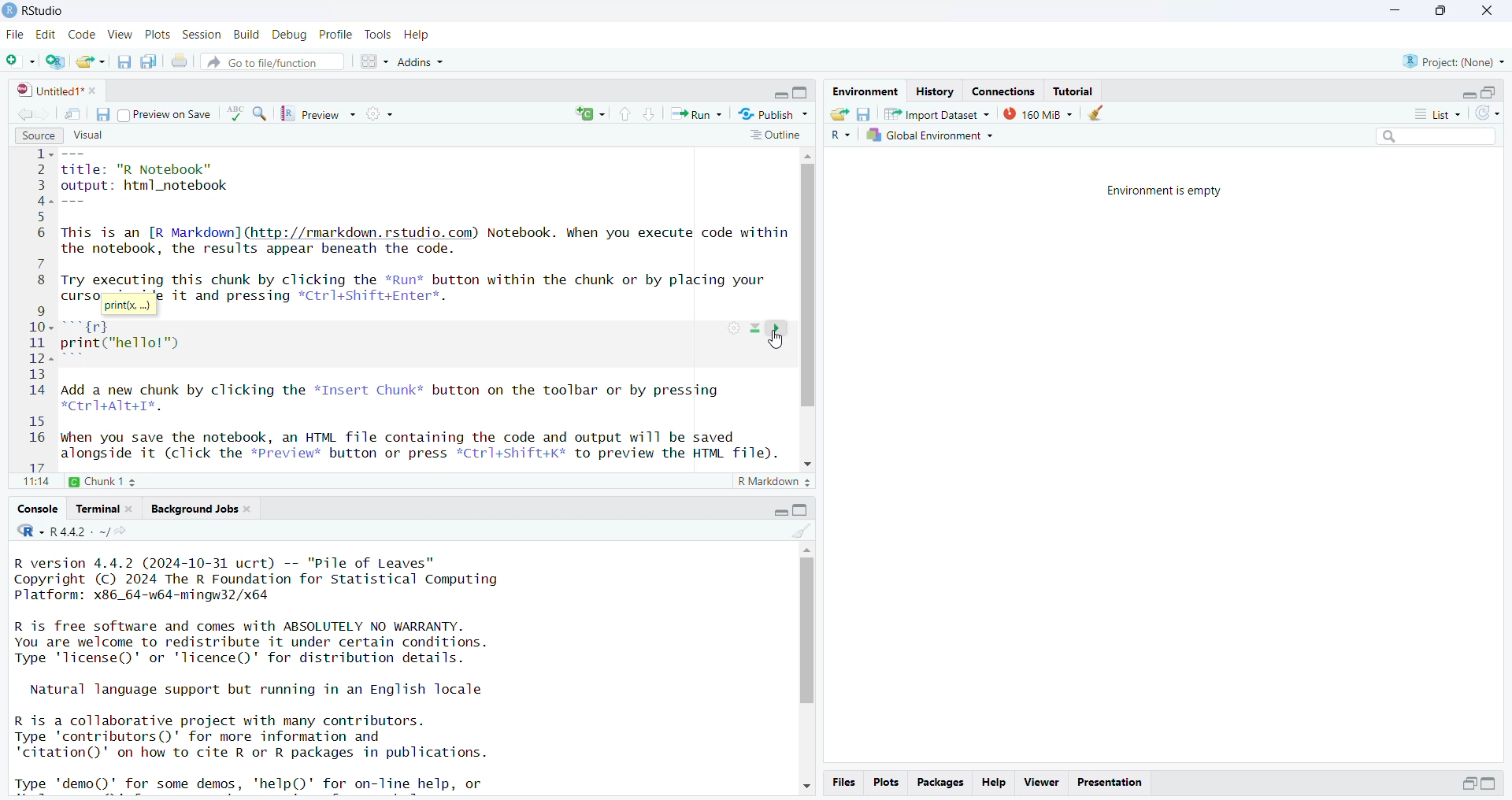 The height and width of the screenshot is (800, 1512). What do you see at coordinates (776, 483) in the screenshot?
I see `R markdown` at bounding box center [776, 483].